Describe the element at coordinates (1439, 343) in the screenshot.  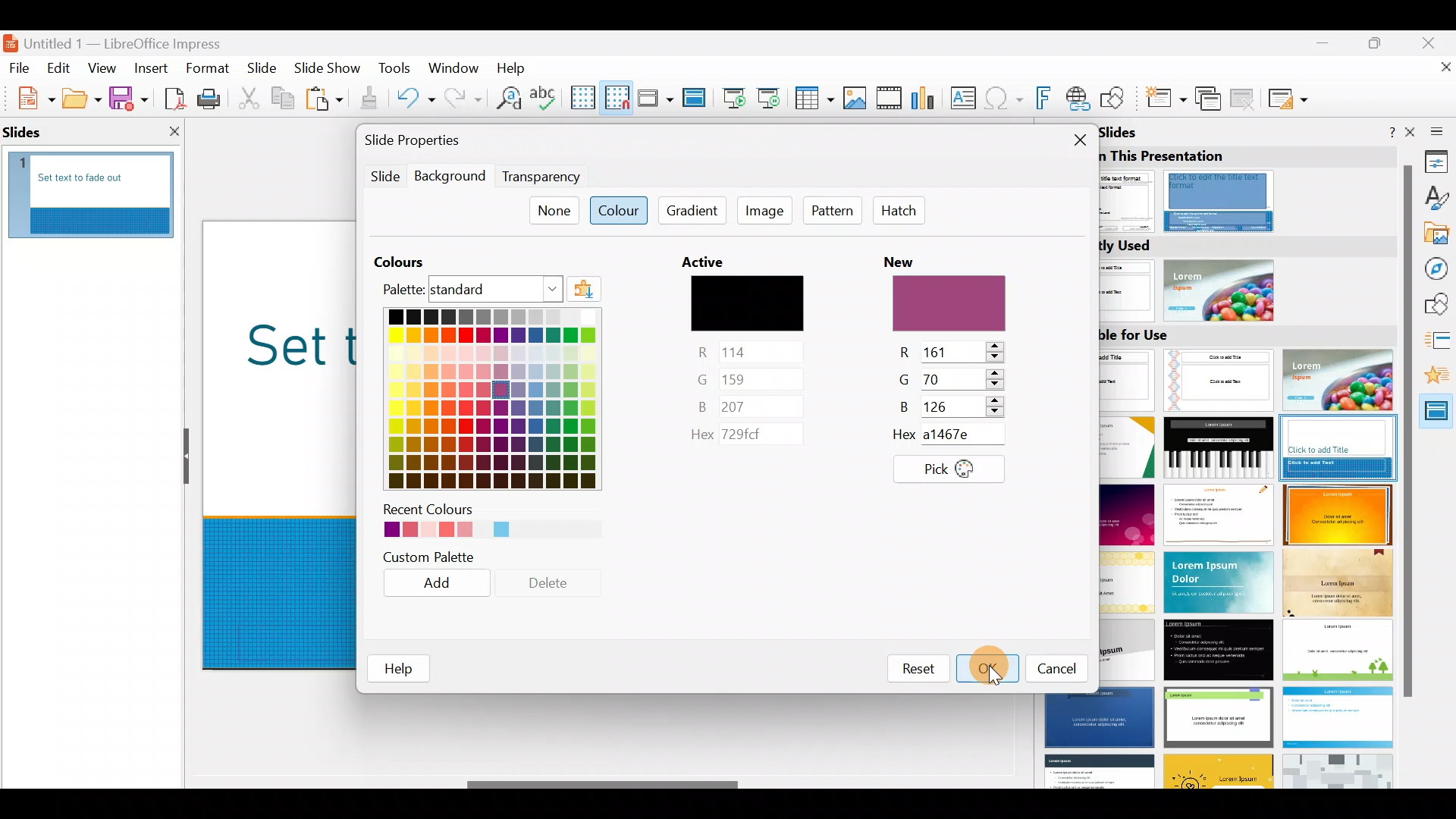
I see `Slide transition` at that location.